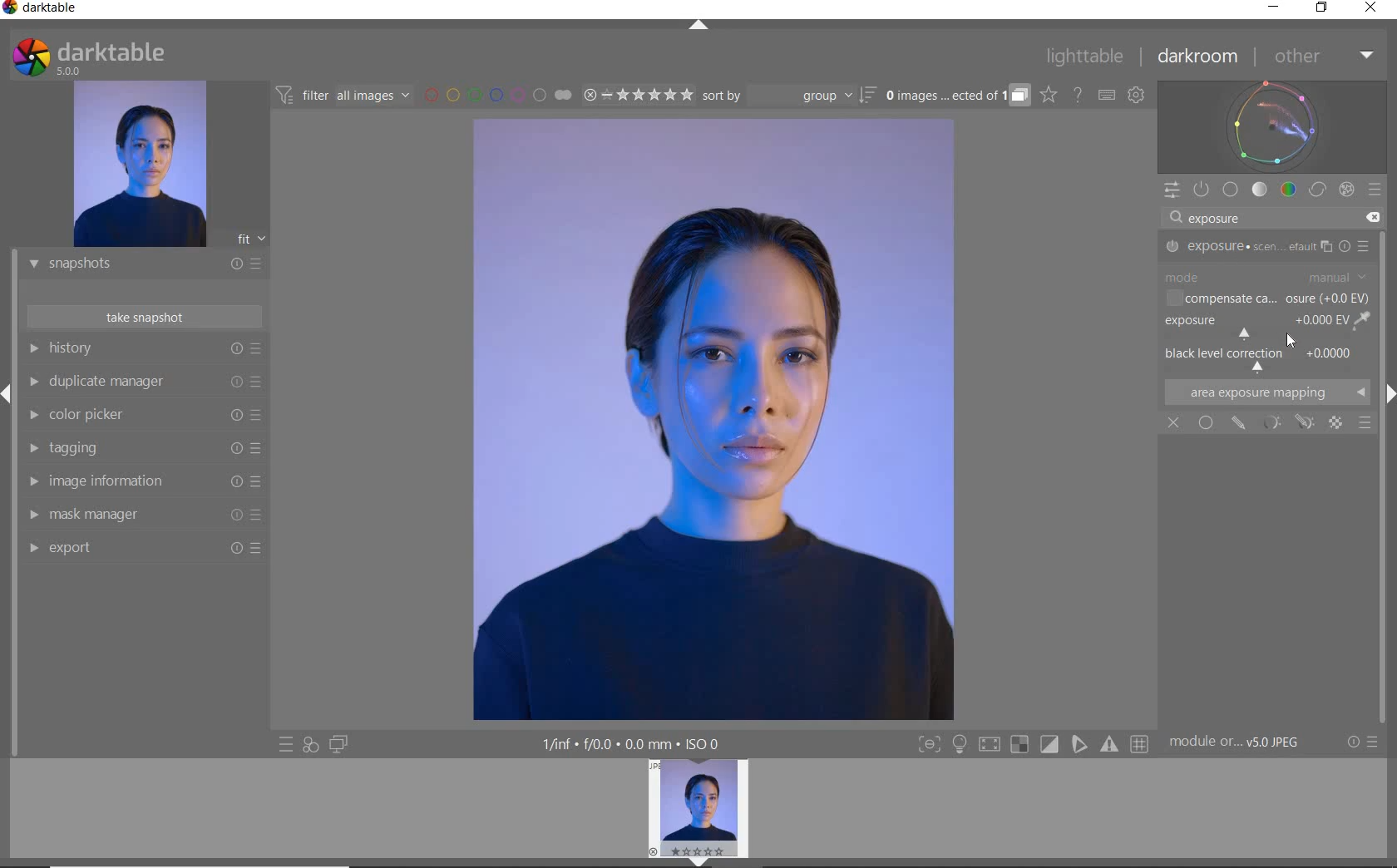  Describe the element at coordinates (1270, 247) in the screenshot. I see `EXPOSURE` at that location.